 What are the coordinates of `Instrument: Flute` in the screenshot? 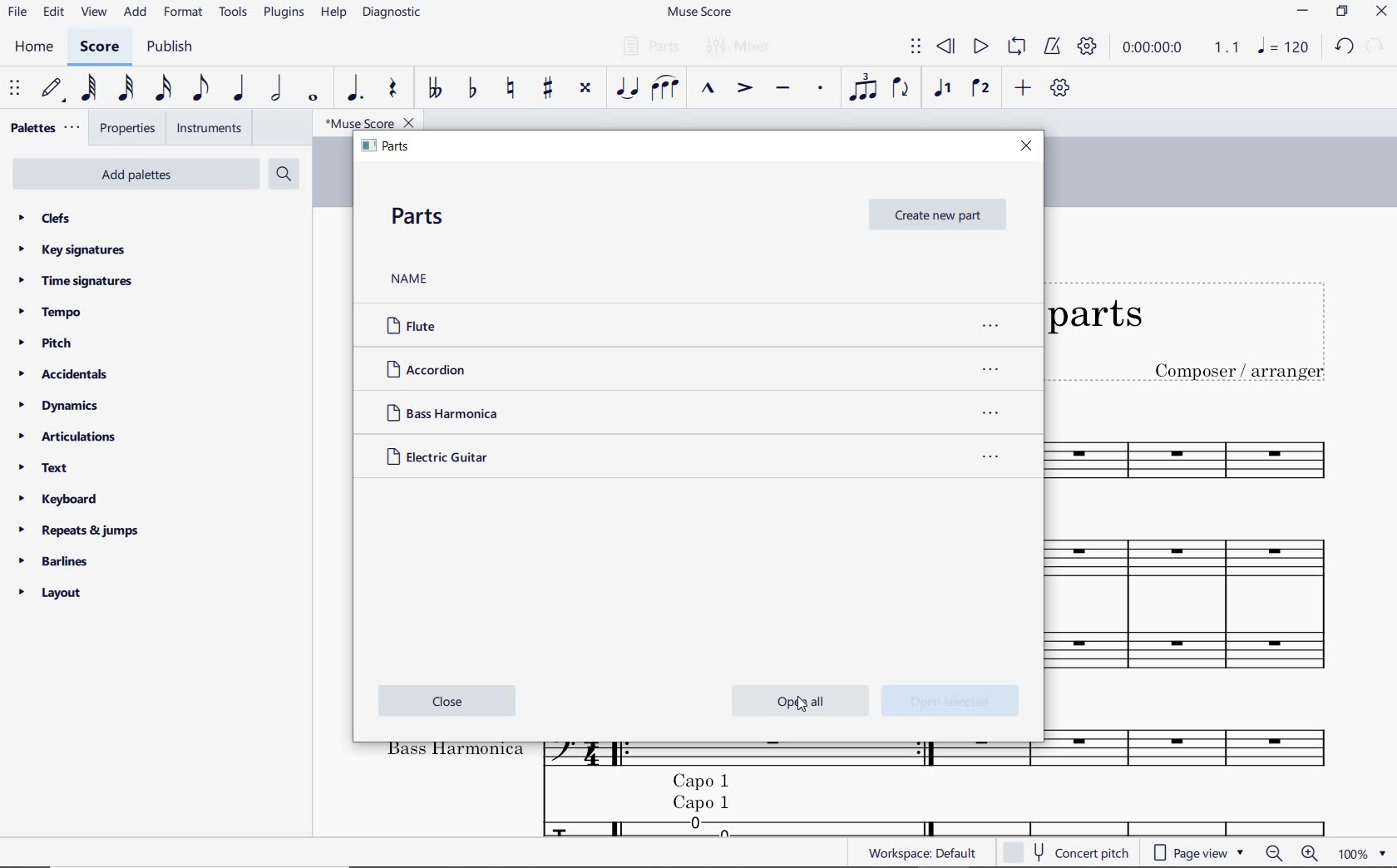 It's located at (1201, 455).